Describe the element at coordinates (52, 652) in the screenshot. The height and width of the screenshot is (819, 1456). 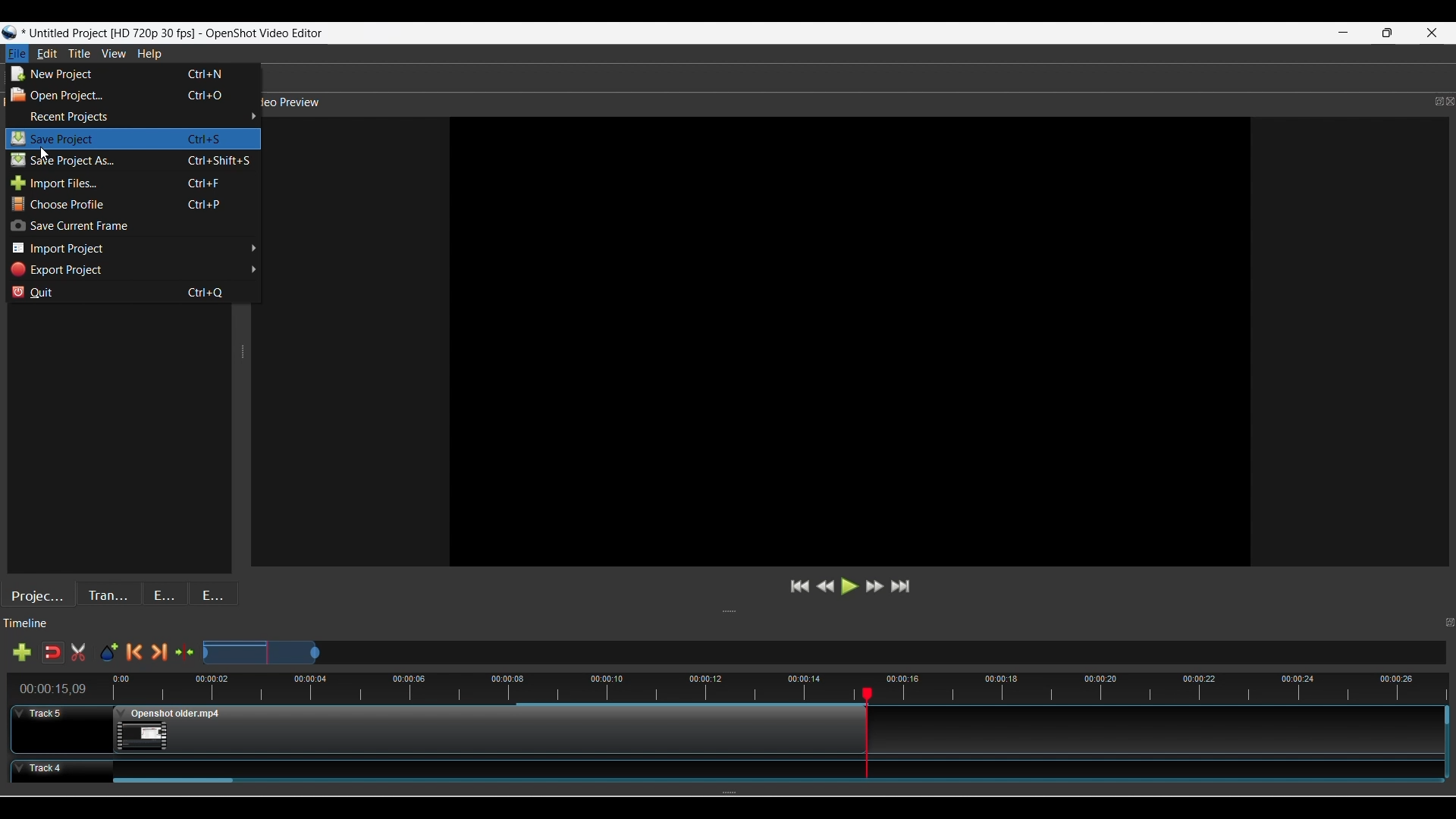
I see `Disable snapping` at that location.